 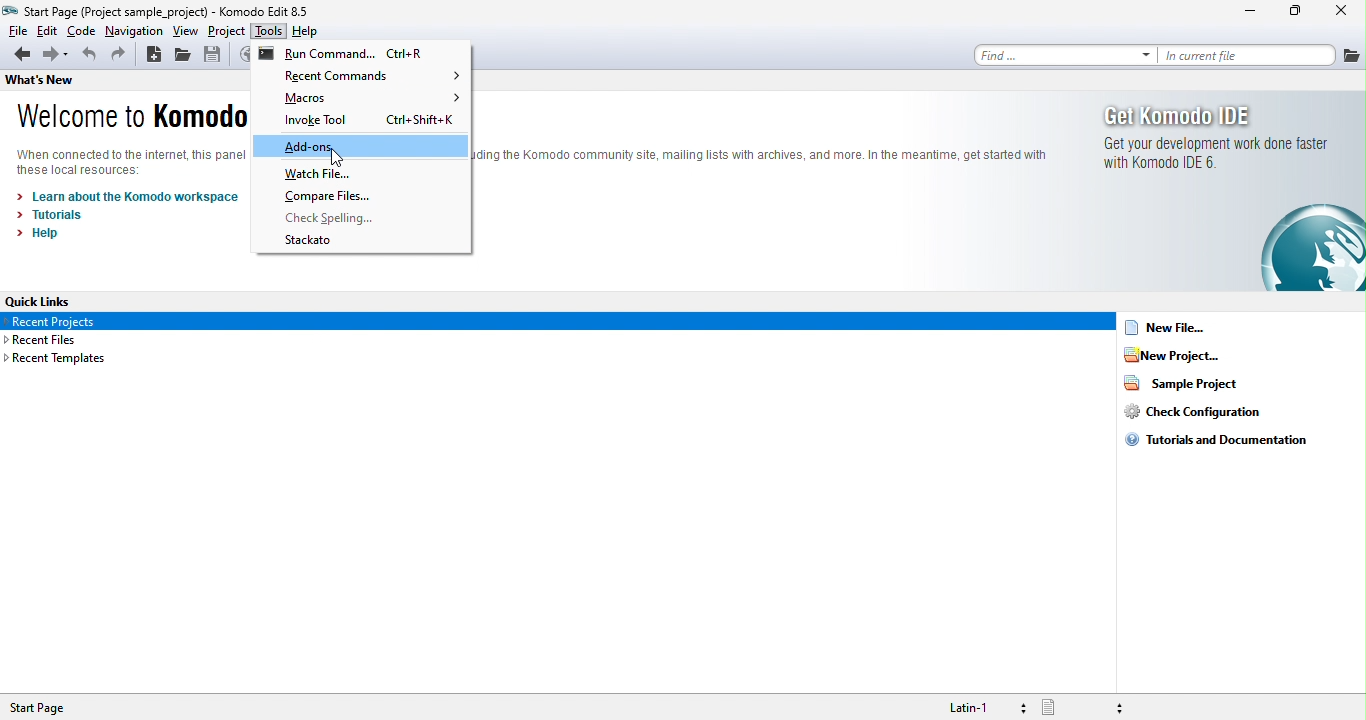 What do you see at coordinates (335, 218) in the screenshot?
I see `check spelling` at bounding box center [335, 218].